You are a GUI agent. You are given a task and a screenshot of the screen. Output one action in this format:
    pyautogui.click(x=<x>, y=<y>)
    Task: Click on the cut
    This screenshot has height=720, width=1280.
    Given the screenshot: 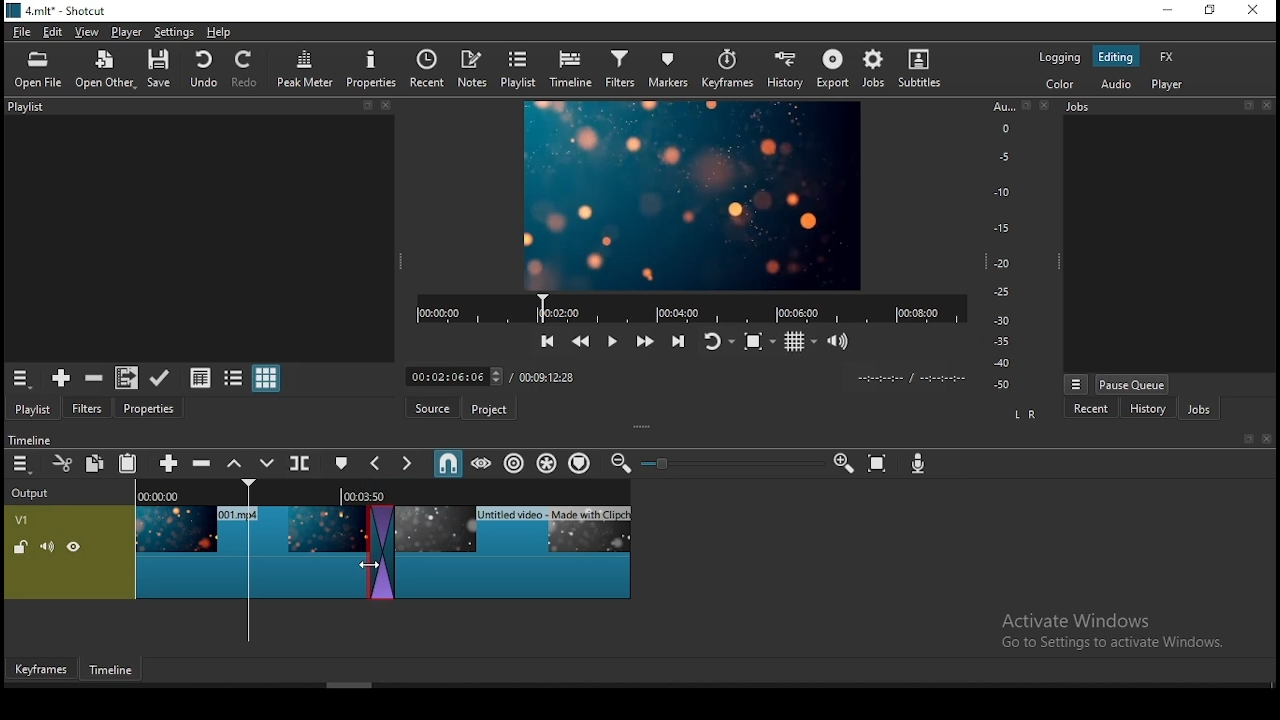 What is the action you would take?
    pyautogui.click(x=61, y=462)
    